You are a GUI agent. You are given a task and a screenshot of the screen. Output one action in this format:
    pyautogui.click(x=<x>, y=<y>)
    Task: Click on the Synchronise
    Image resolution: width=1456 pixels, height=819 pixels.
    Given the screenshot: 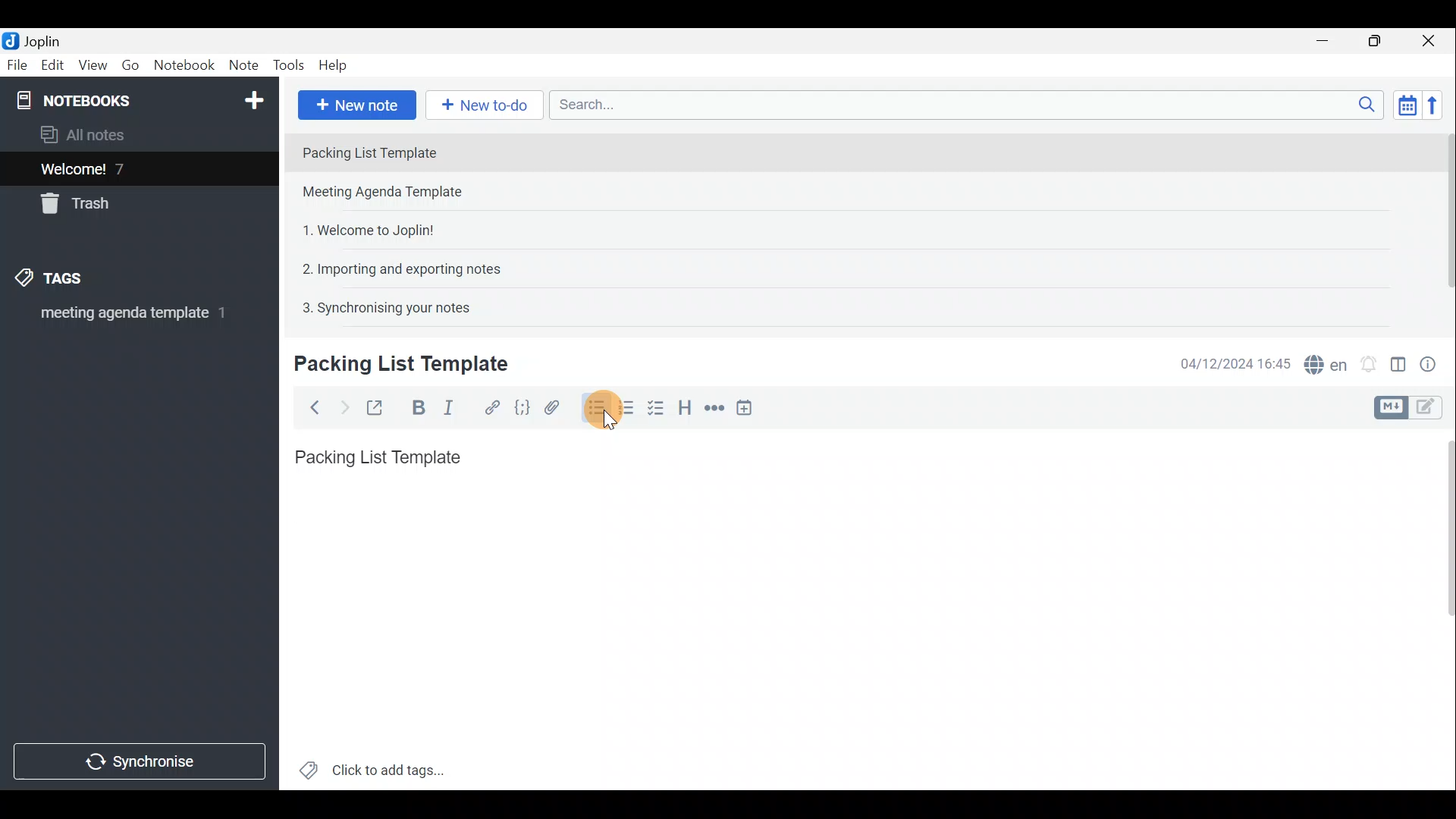 What is the action you would take?
    pyautogui.click(x=142, y=764)
    